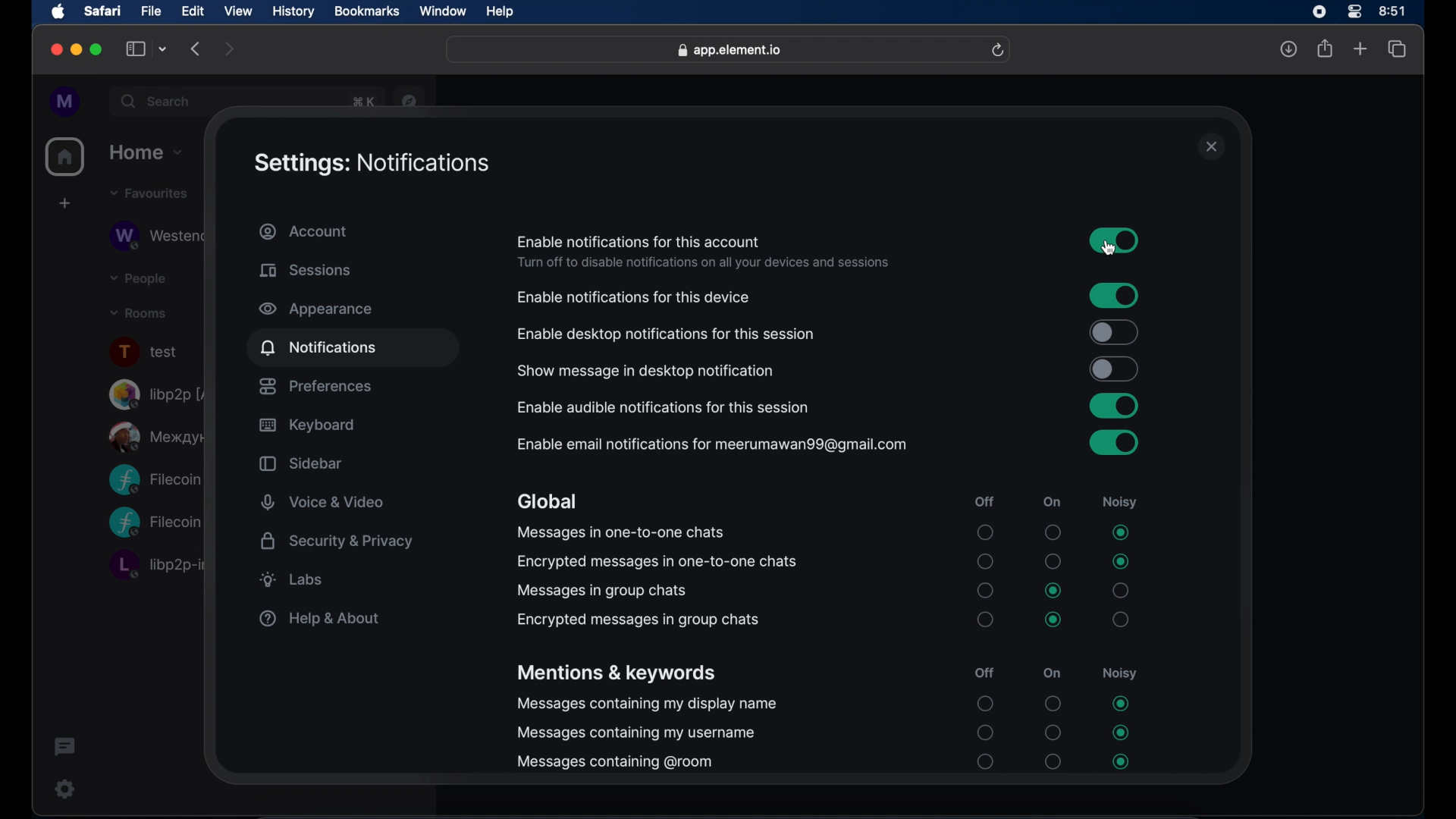  Describe the element at coordinates (1288, 49) in the screenshot. I see `downloads` at that location.